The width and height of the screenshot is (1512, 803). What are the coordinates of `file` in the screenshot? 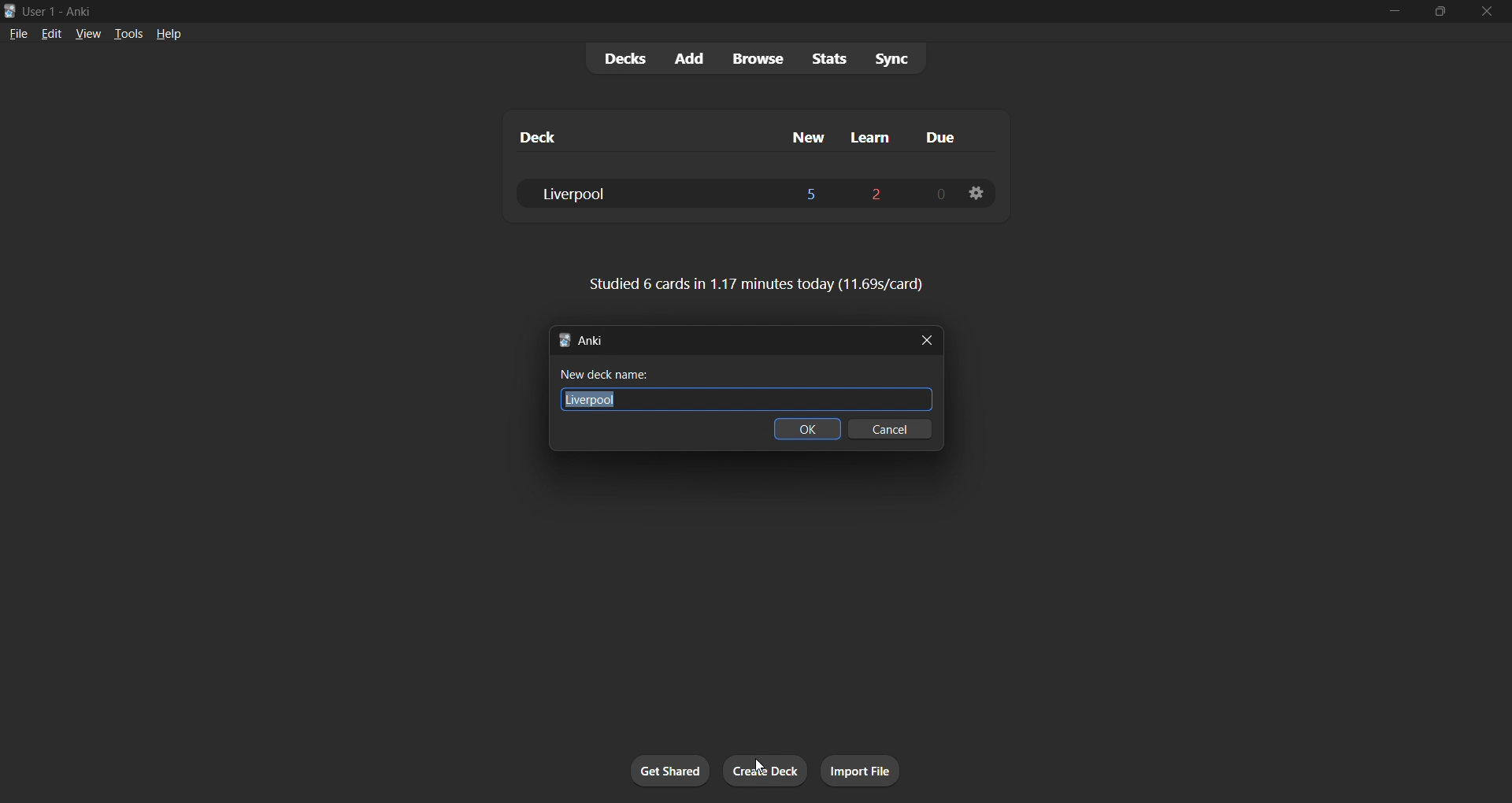 It's located at (14, 37).